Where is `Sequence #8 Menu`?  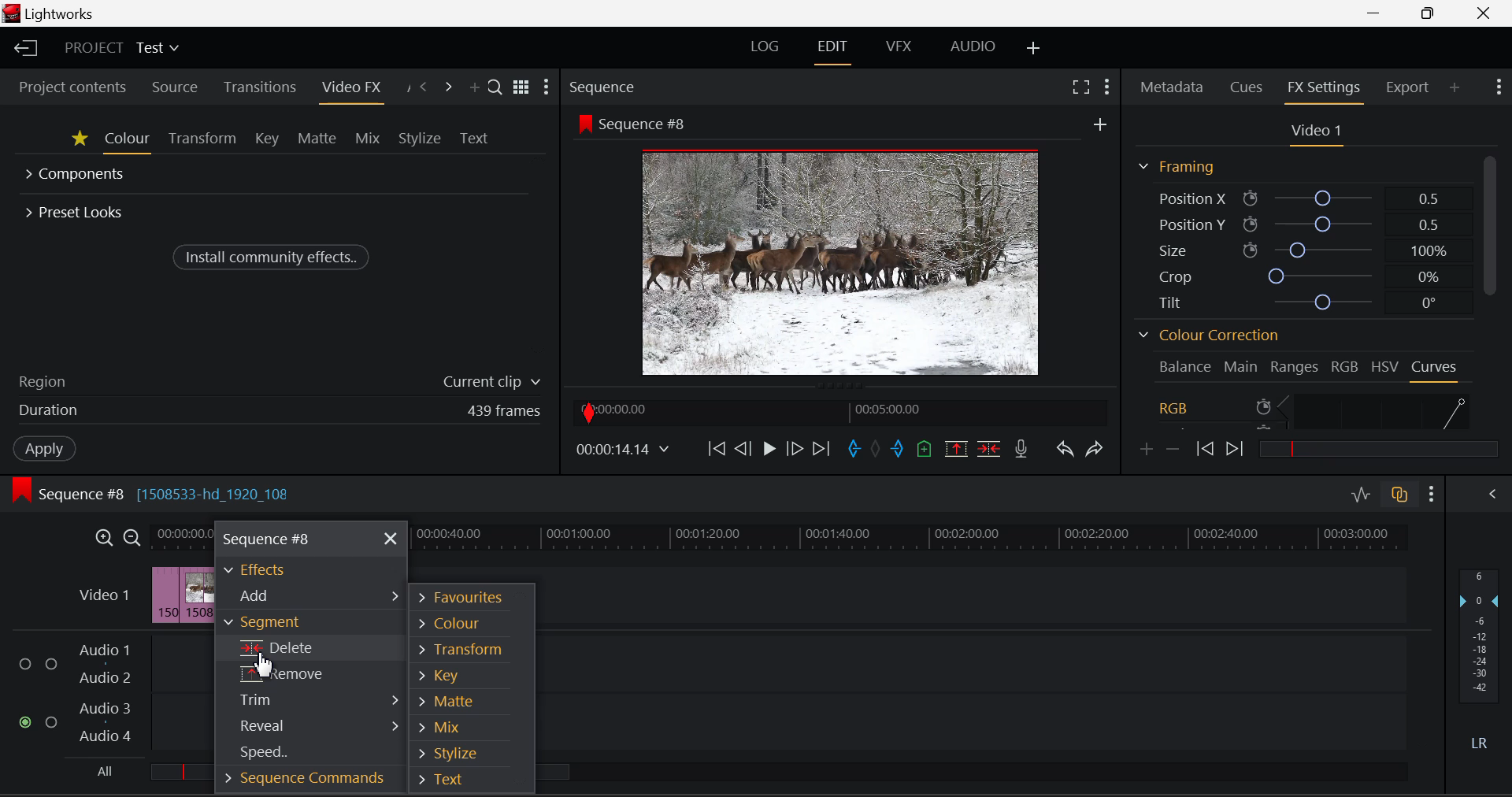 Sequence #8 Menu is located at coordinates (268, 537).